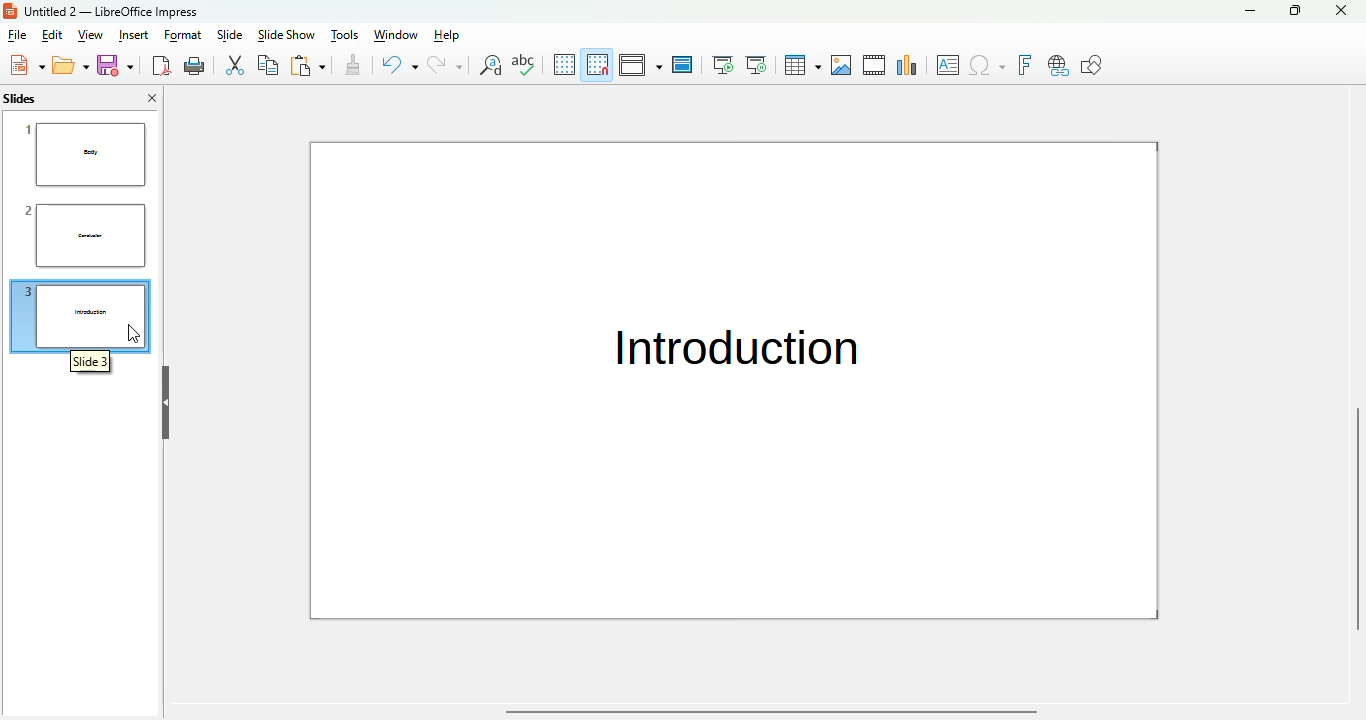 This screenshot has width=1366, height=720. Describe the element at coordinates (842, 65) in the screenshot. I see `insert image` at that location.